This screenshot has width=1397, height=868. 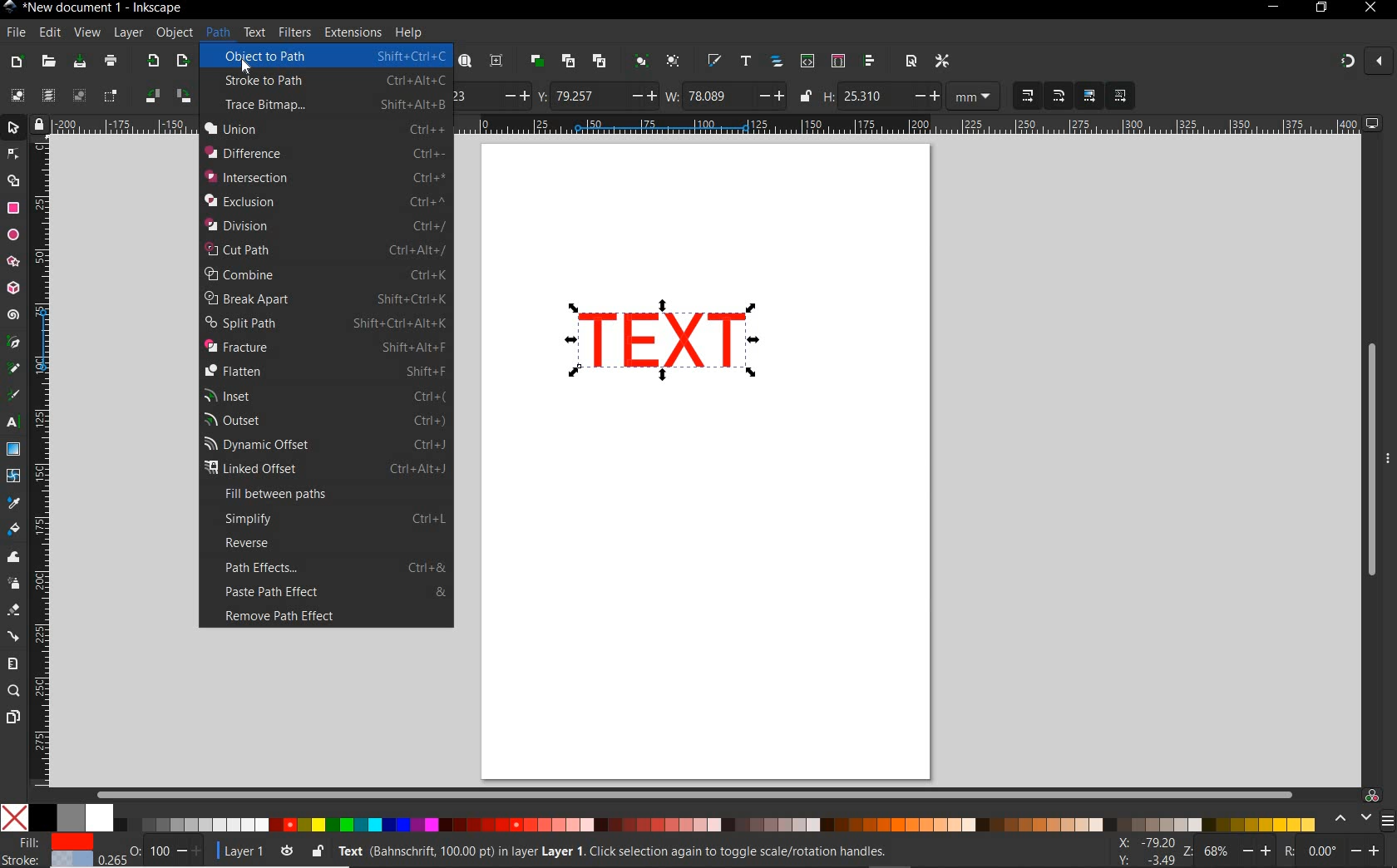 I want to click on GROUP, so click(x=639, y=60).